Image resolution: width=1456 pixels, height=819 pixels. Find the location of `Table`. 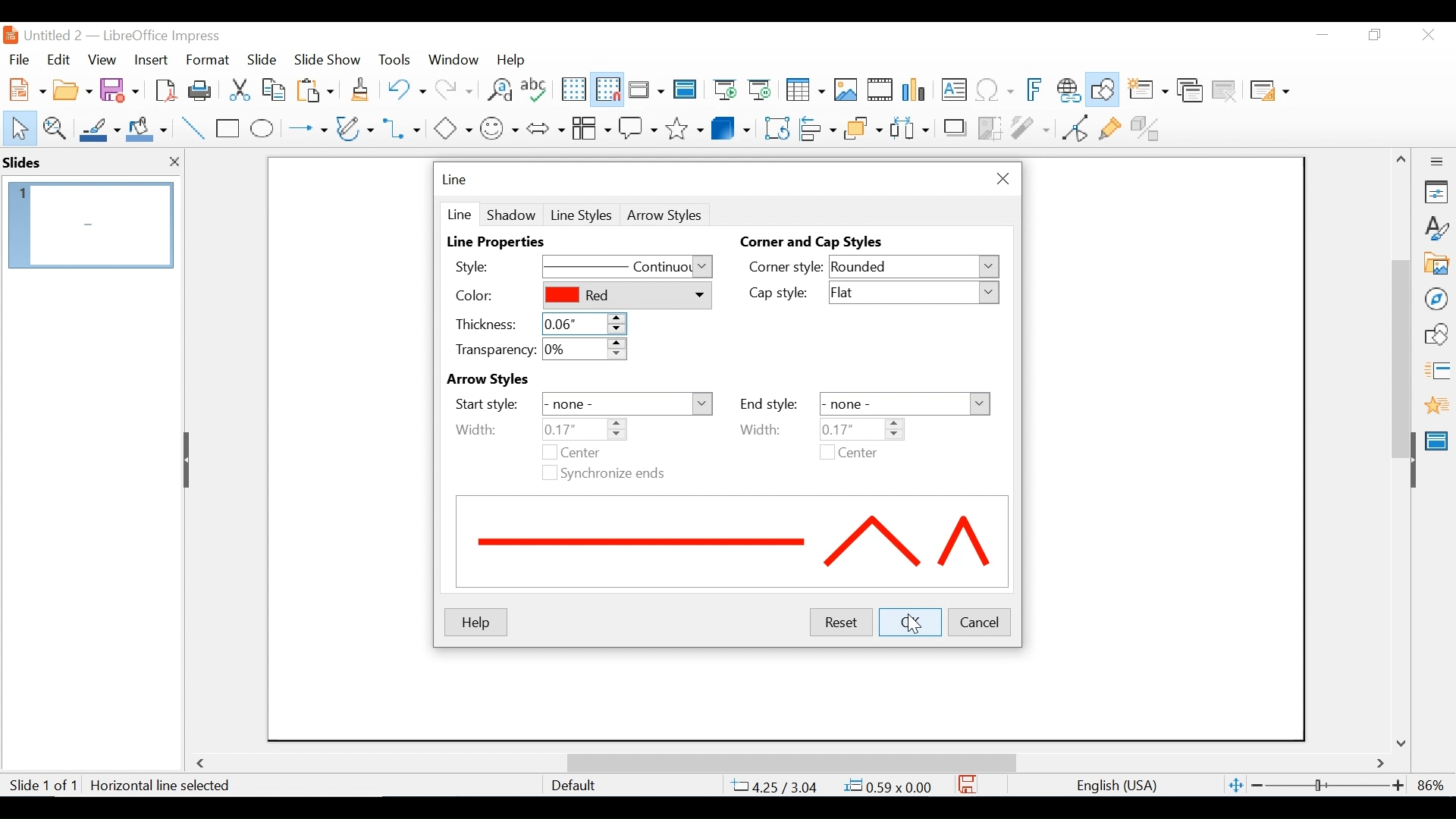

Table is located at coordinates (804, 90).